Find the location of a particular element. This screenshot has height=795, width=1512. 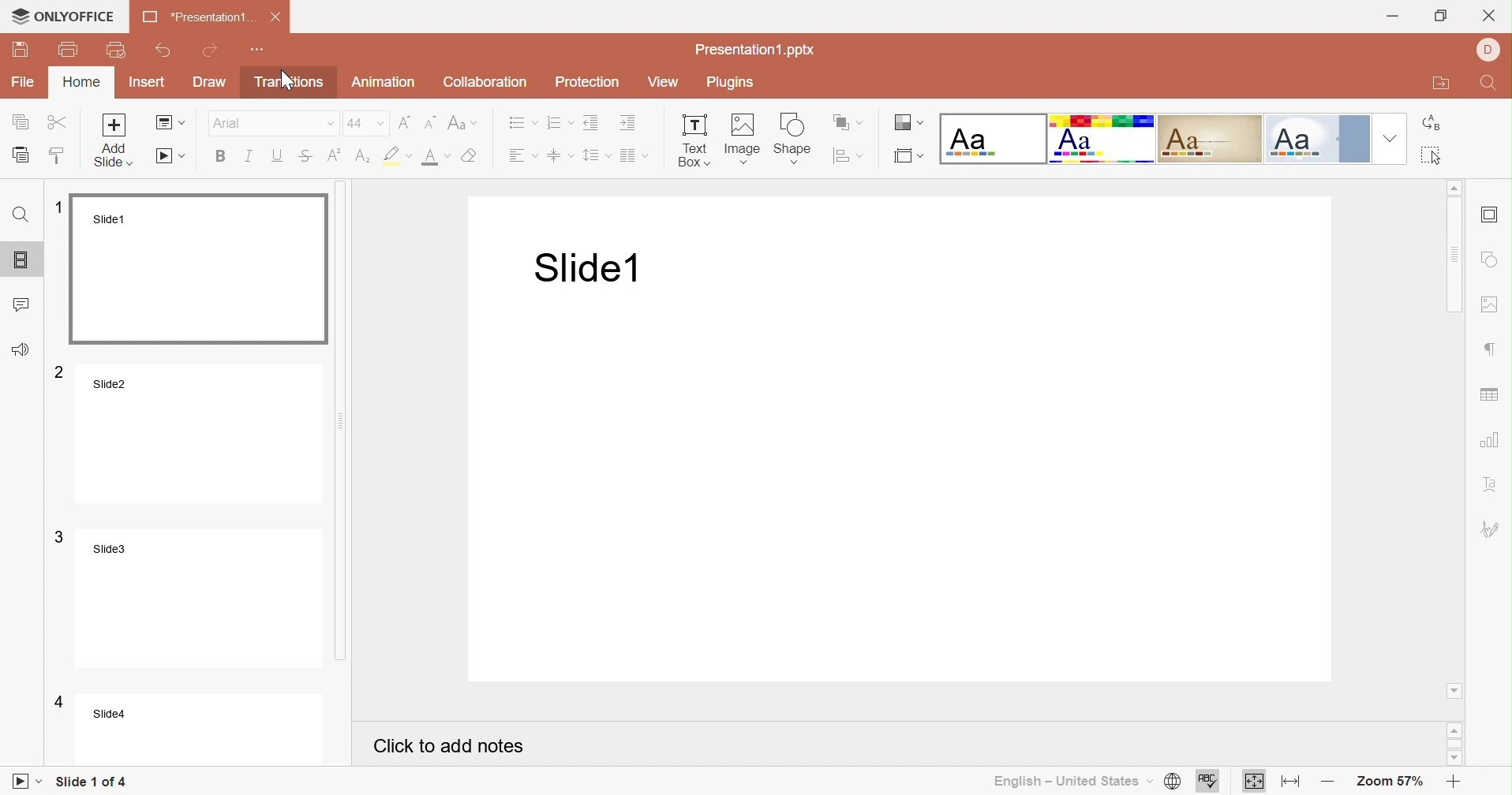

Fit to slide is located at coordinates (1253, 781).